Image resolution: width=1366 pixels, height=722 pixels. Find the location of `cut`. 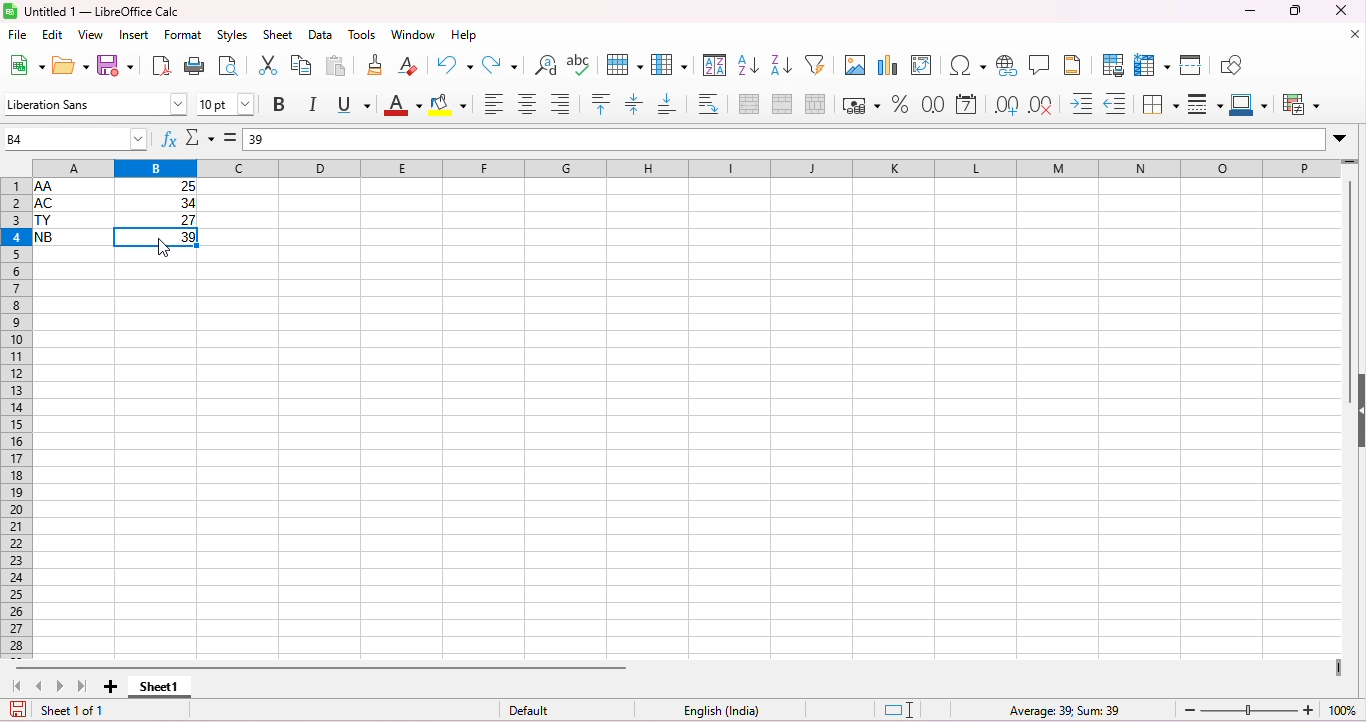

cut is located at coordinates (270, 64).